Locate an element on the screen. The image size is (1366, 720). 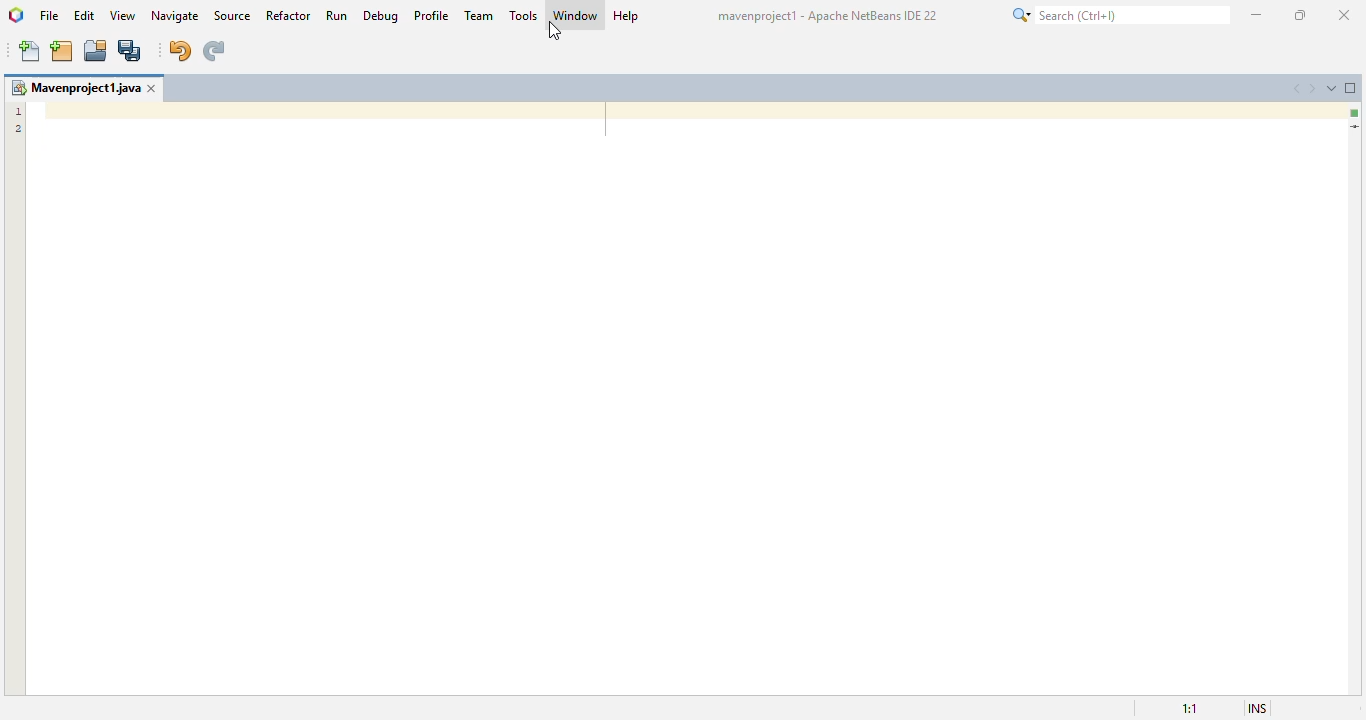
scroll documents left is located at coordinates (1297, 88).